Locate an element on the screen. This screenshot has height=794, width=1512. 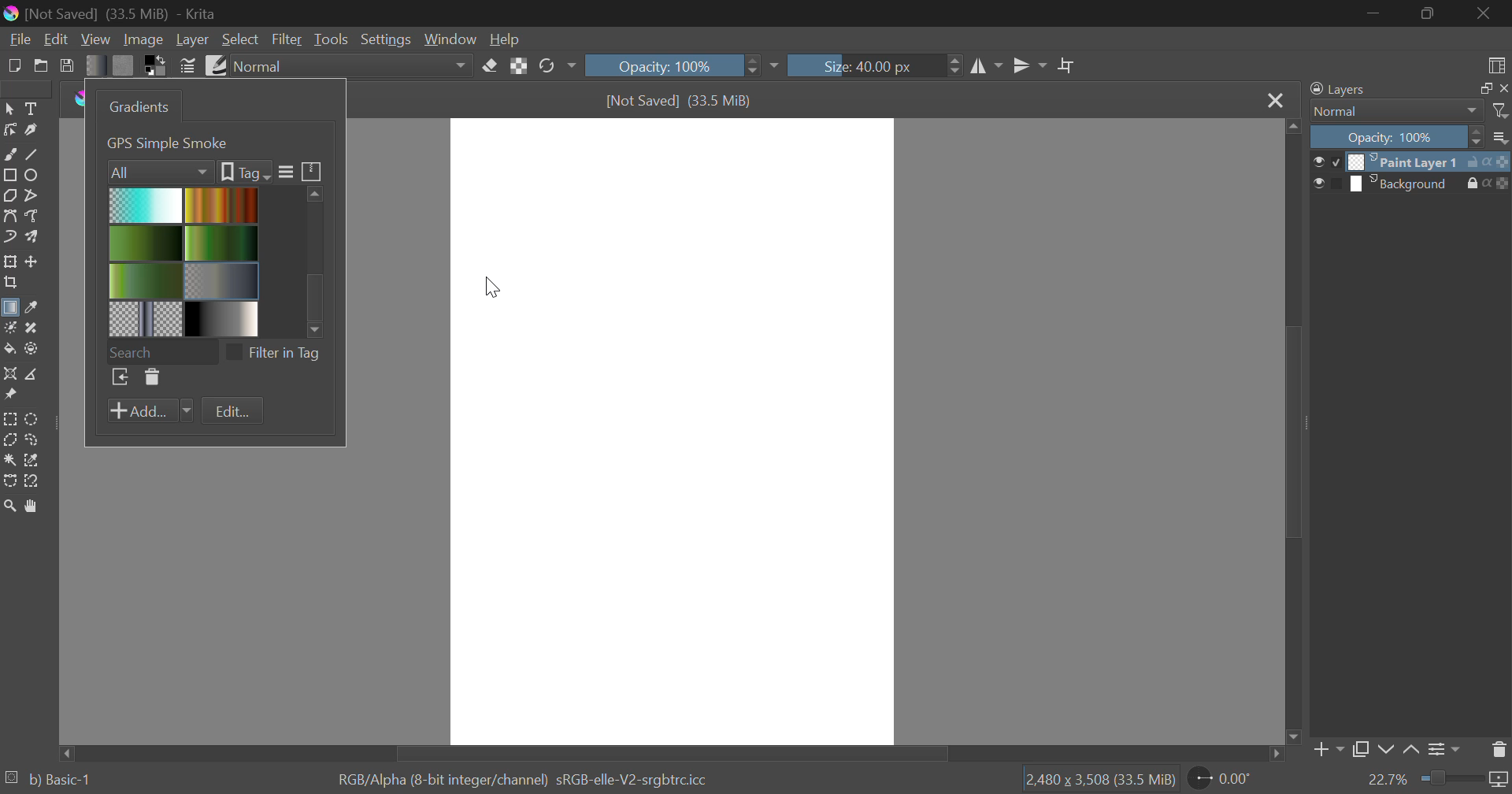
Normal is located at coordinates (354, 66).